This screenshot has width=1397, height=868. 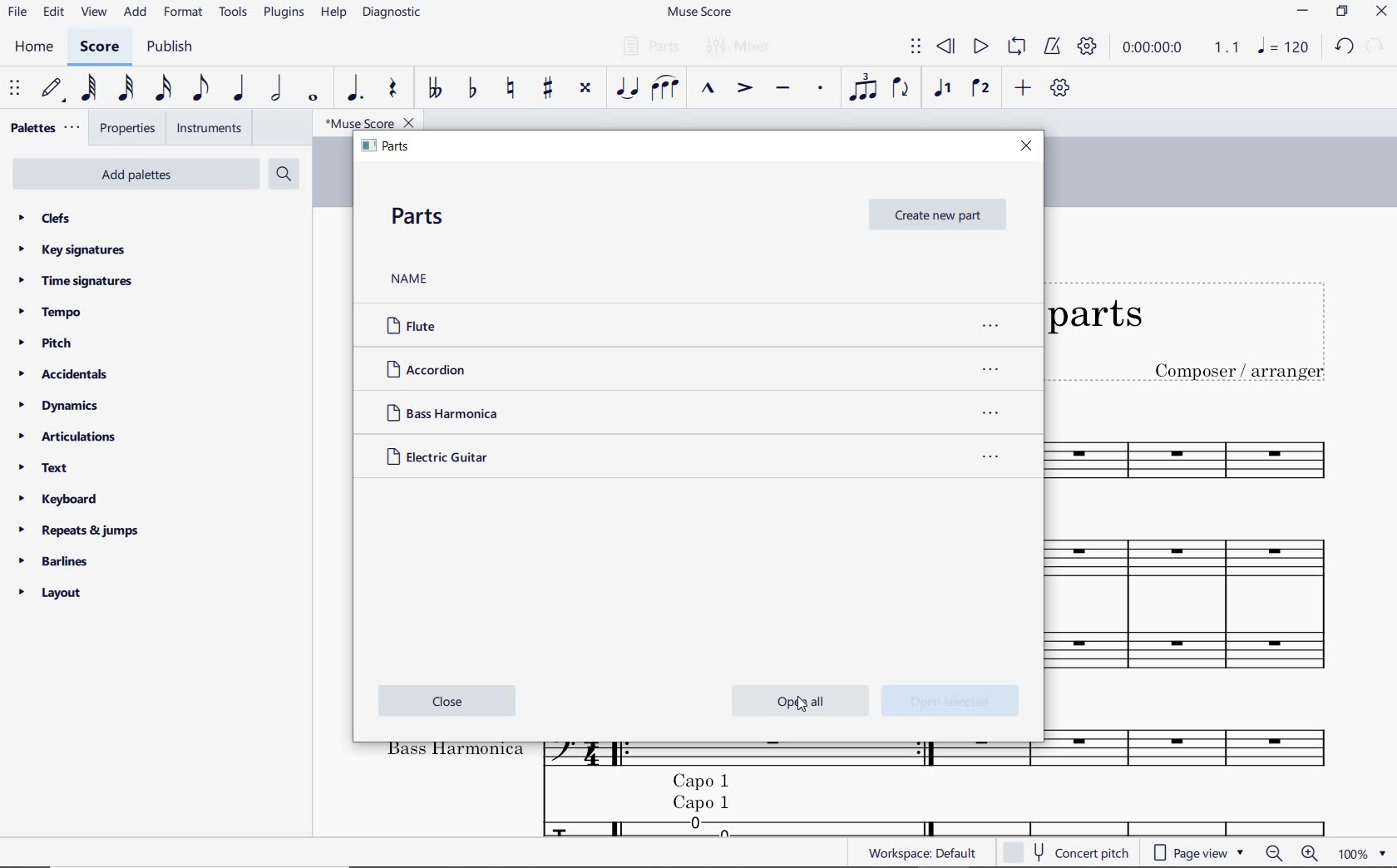 I want to click on key signatures, so click(x=71, y=249).